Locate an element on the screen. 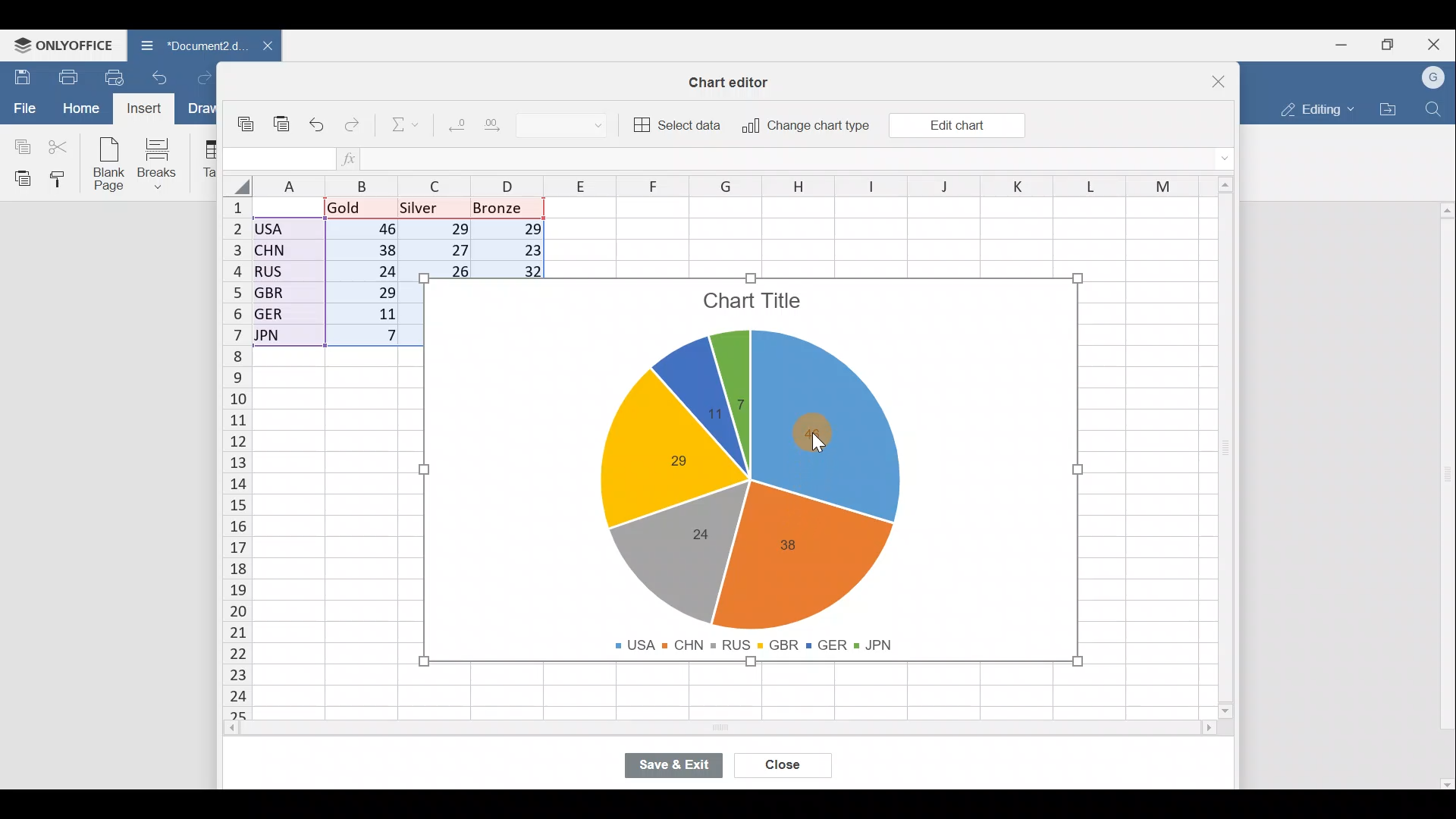  Rows is located at coordinates (237, 449).